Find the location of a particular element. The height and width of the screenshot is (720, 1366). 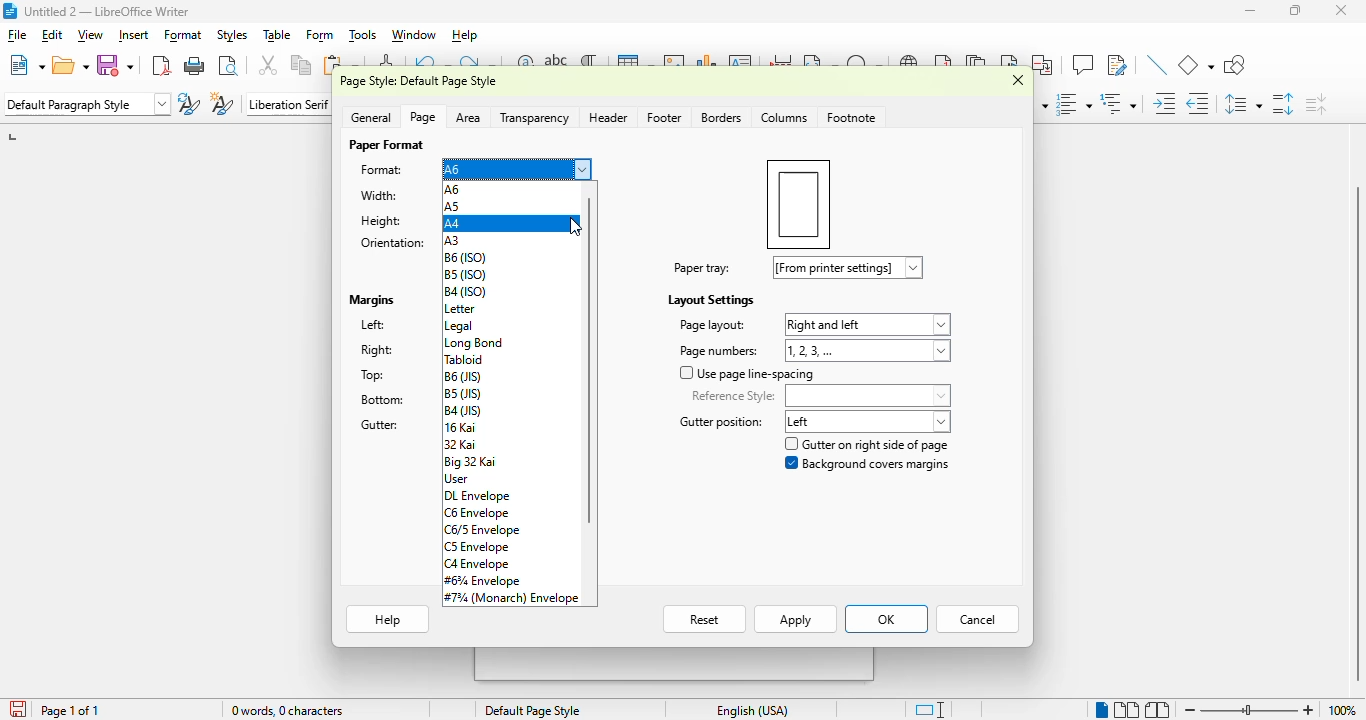

insert line is located at coordinates (1156, 64).